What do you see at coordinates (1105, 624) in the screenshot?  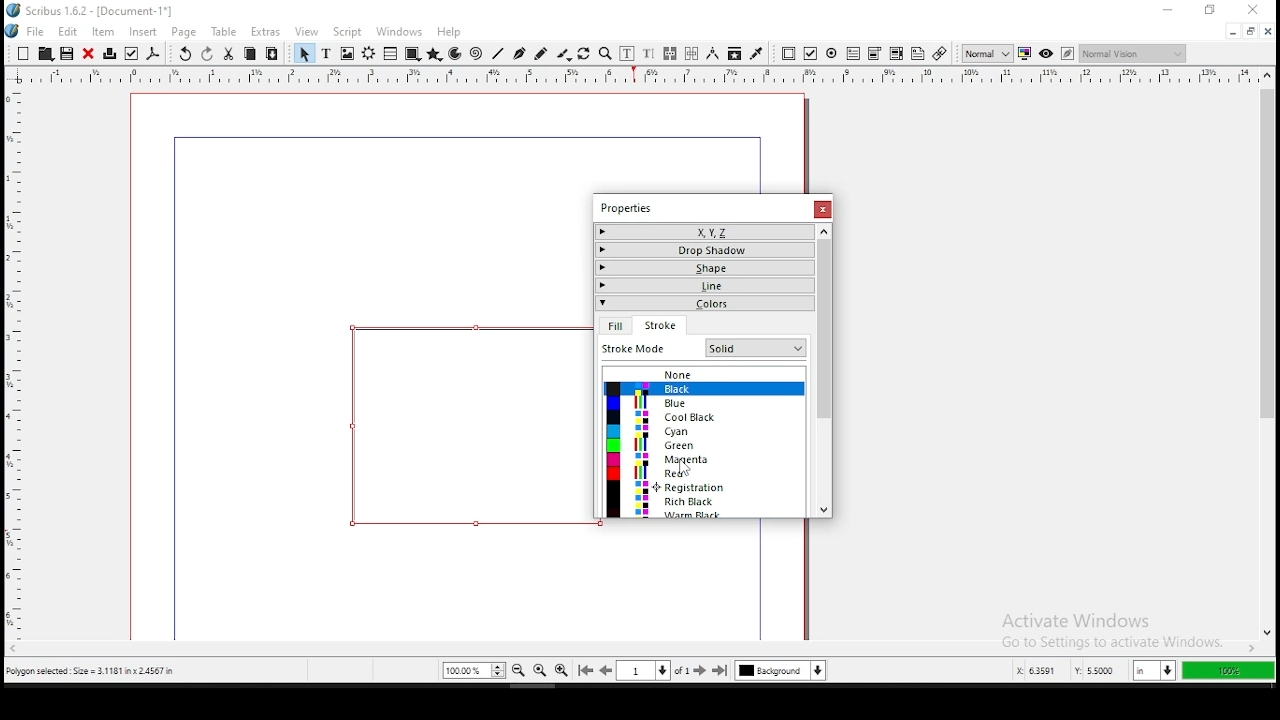 I see `activate windows` at bounding box center [1105, 624].